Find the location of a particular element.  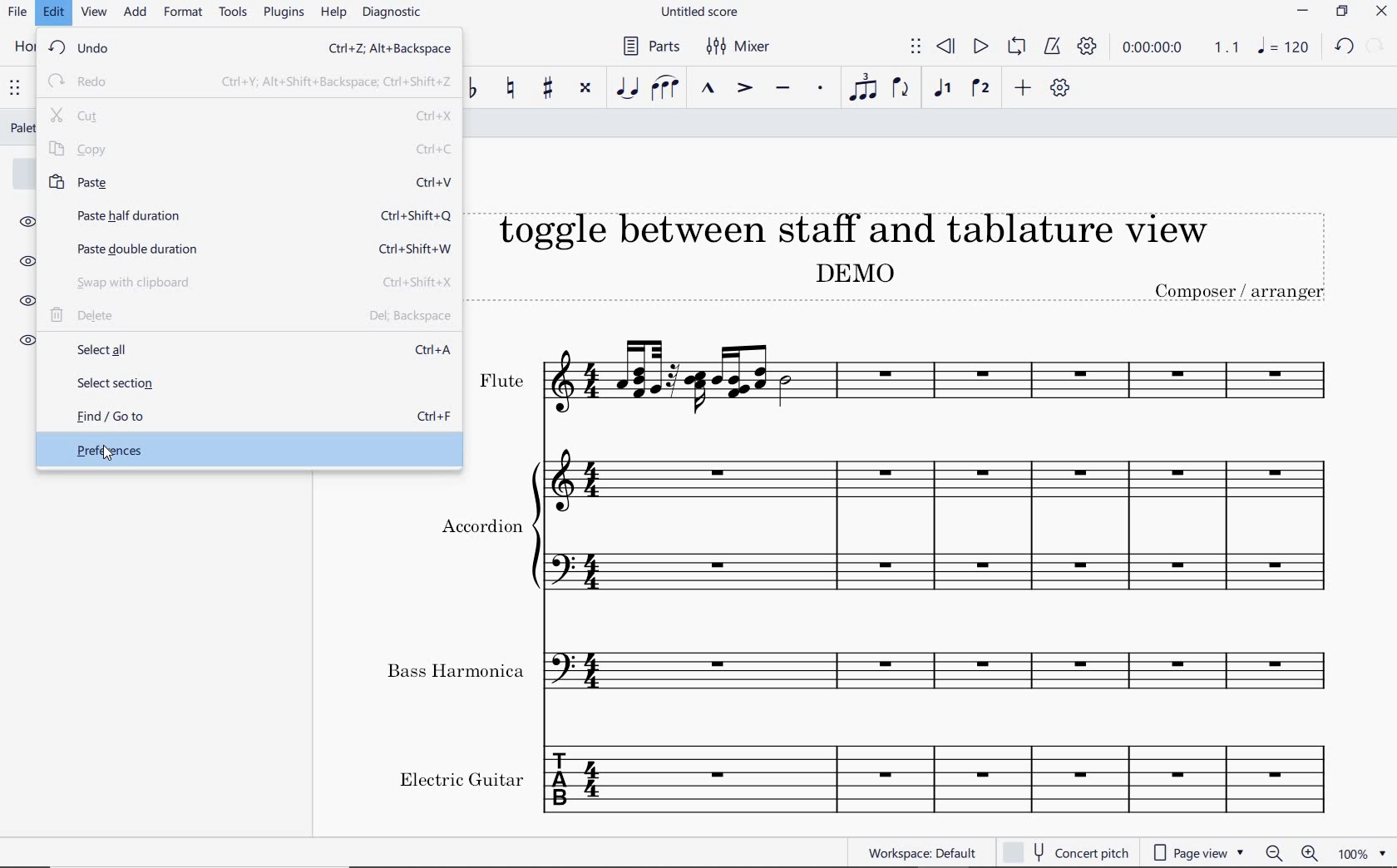

UNDO is located at coordinates (1345, 49).